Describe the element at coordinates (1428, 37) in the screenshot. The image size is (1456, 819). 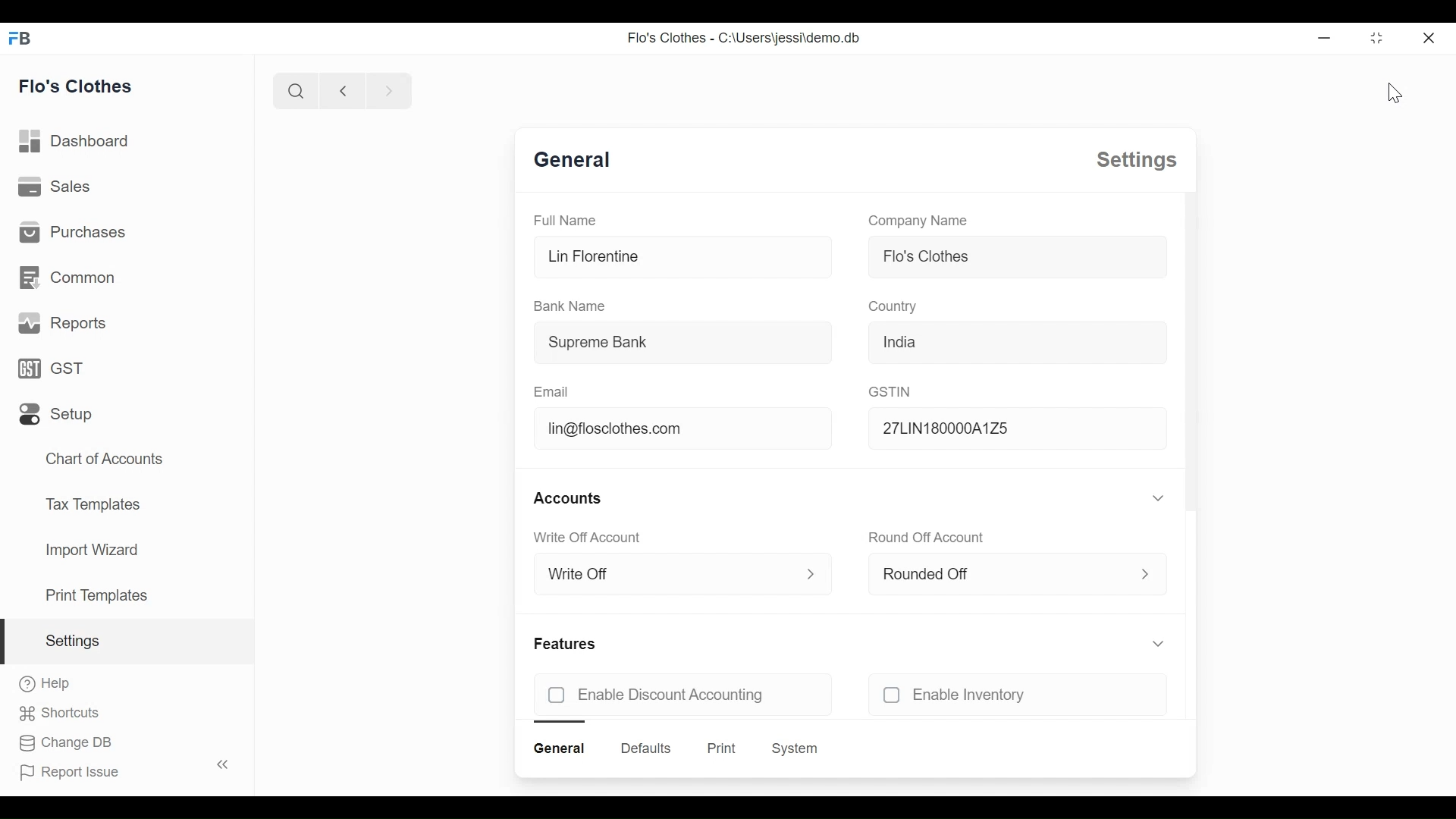
I see `close` at that location.